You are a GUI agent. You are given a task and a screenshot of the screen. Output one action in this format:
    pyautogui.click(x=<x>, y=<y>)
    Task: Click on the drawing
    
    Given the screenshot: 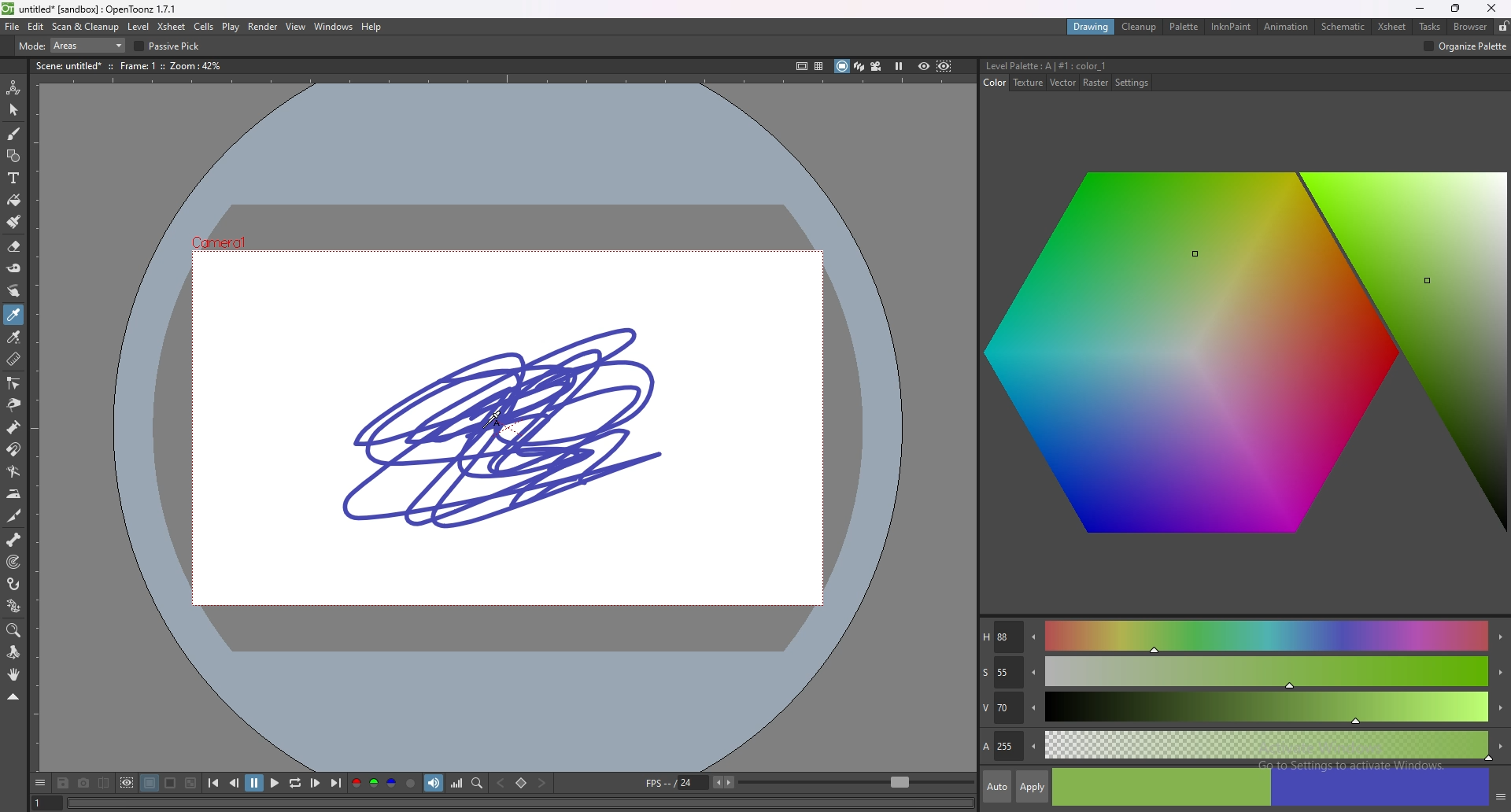 What is the action you would take?
    pyautogui.click(x=1092, y=28)
    